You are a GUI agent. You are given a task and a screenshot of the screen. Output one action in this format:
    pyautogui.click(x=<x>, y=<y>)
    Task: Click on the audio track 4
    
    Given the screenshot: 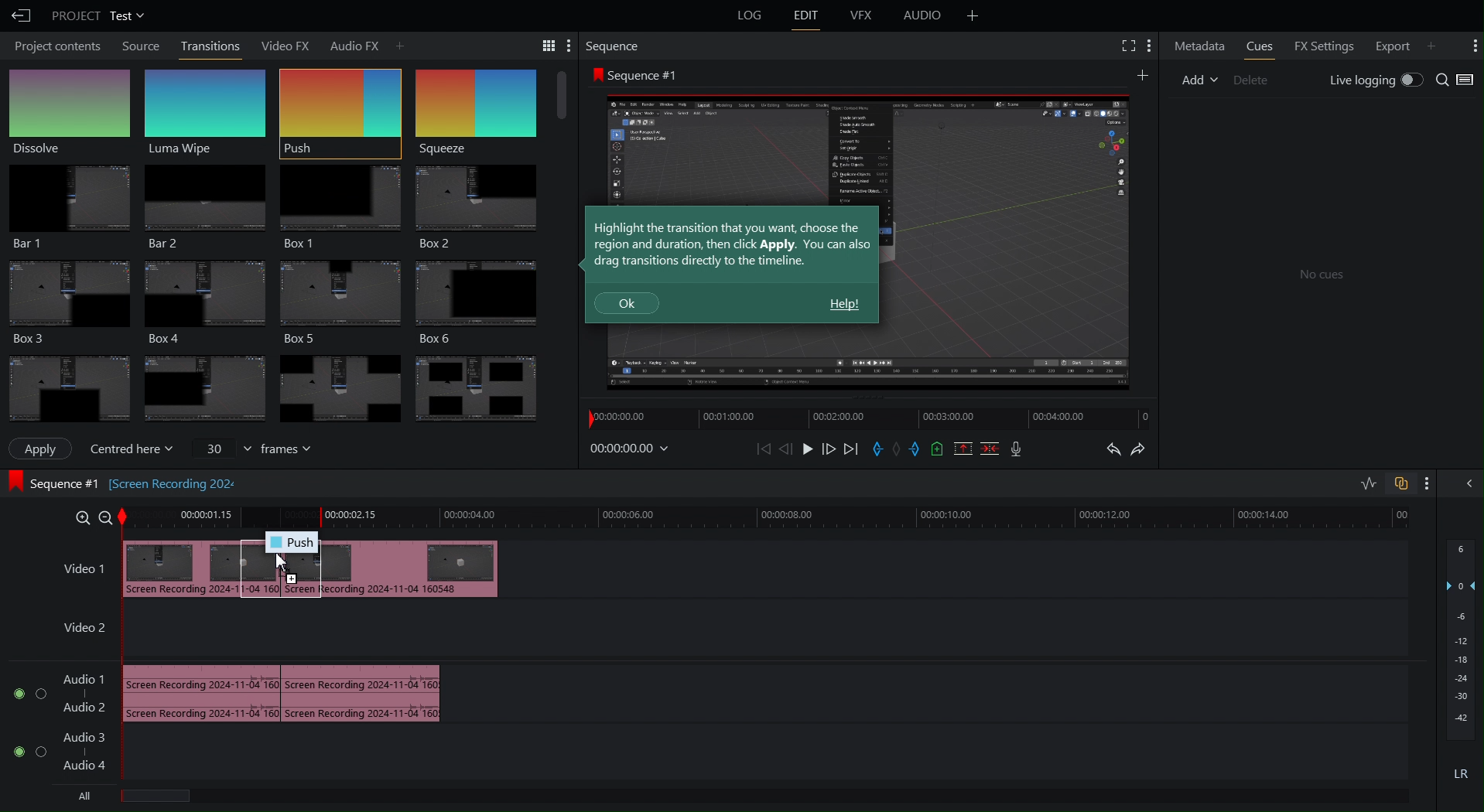 What is the action you would take?
    pyautogui.click(x=92, y=767)
    